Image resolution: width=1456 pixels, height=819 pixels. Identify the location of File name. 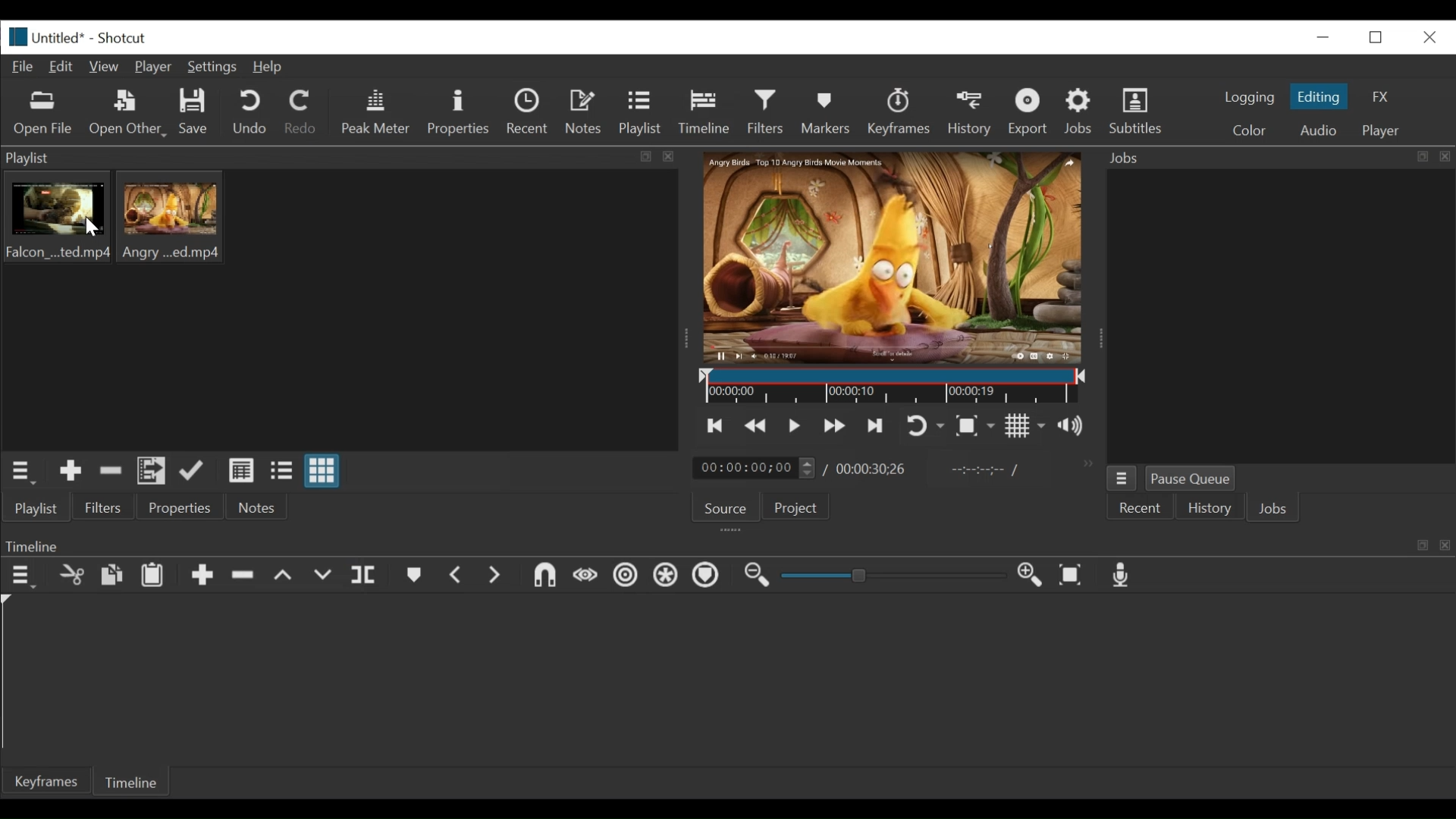
(61, 39).